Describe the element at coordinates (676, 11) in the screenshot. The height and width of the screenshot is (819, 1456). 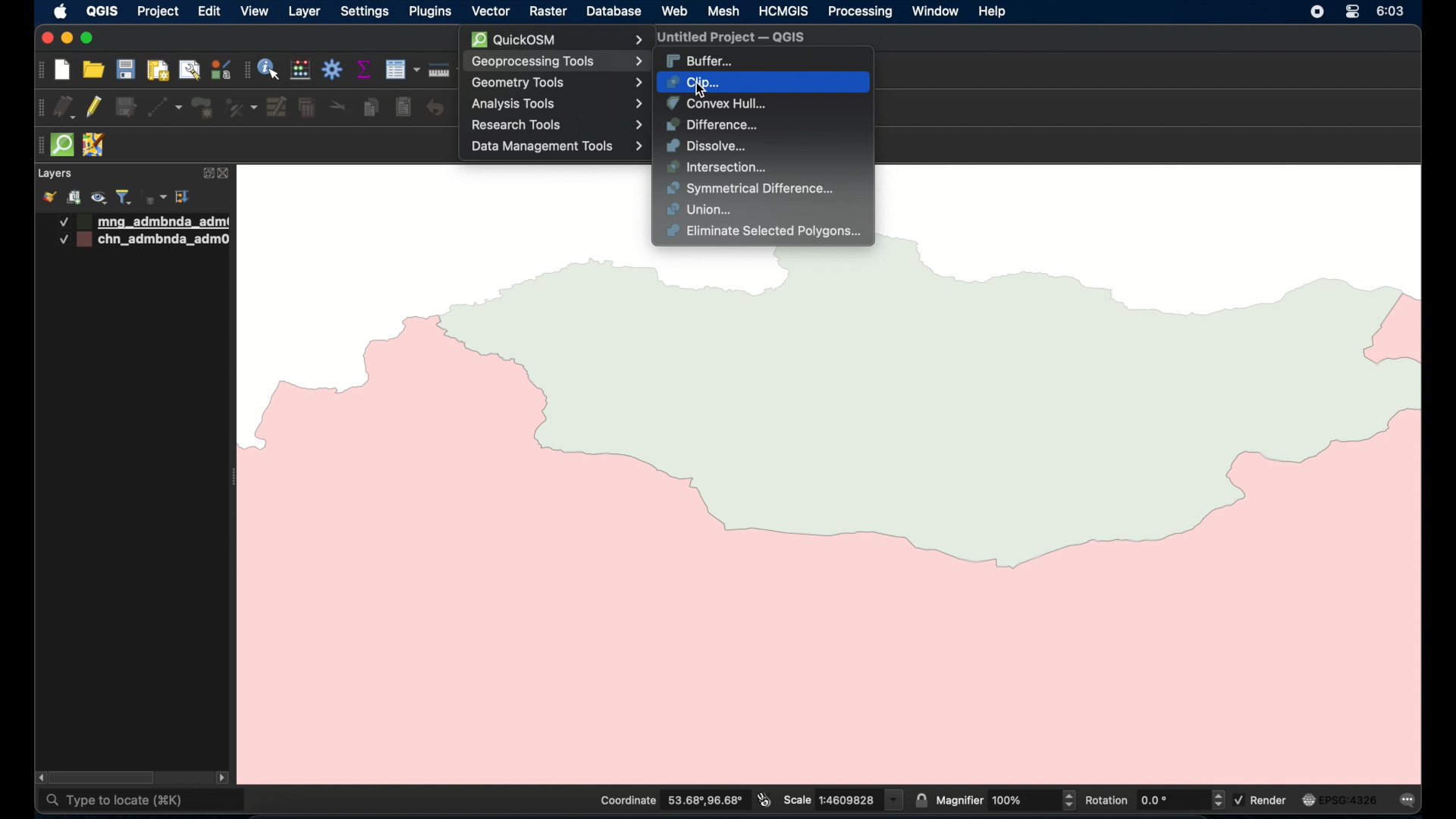
I see `web` at that location.